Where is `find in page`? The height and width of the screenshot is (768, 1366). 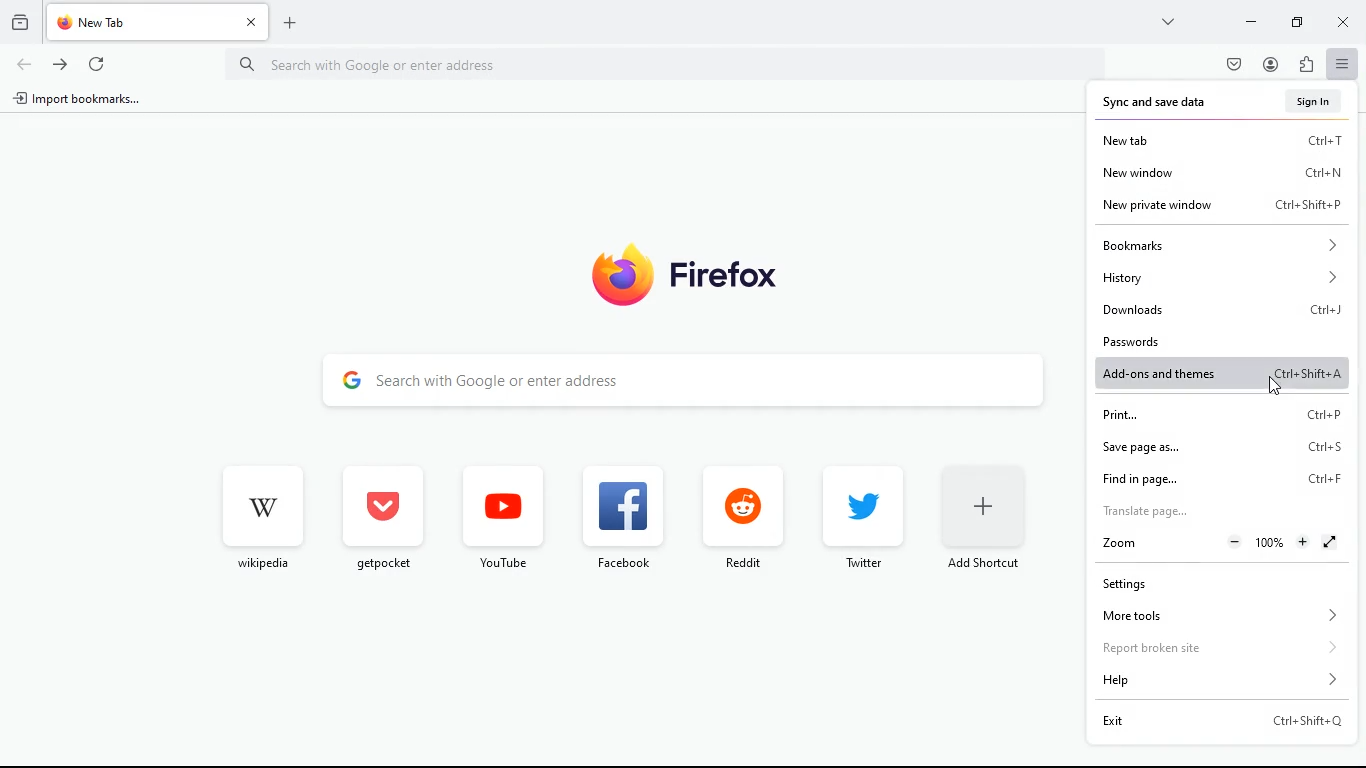 find in page is located at coordinates (1219, 477).